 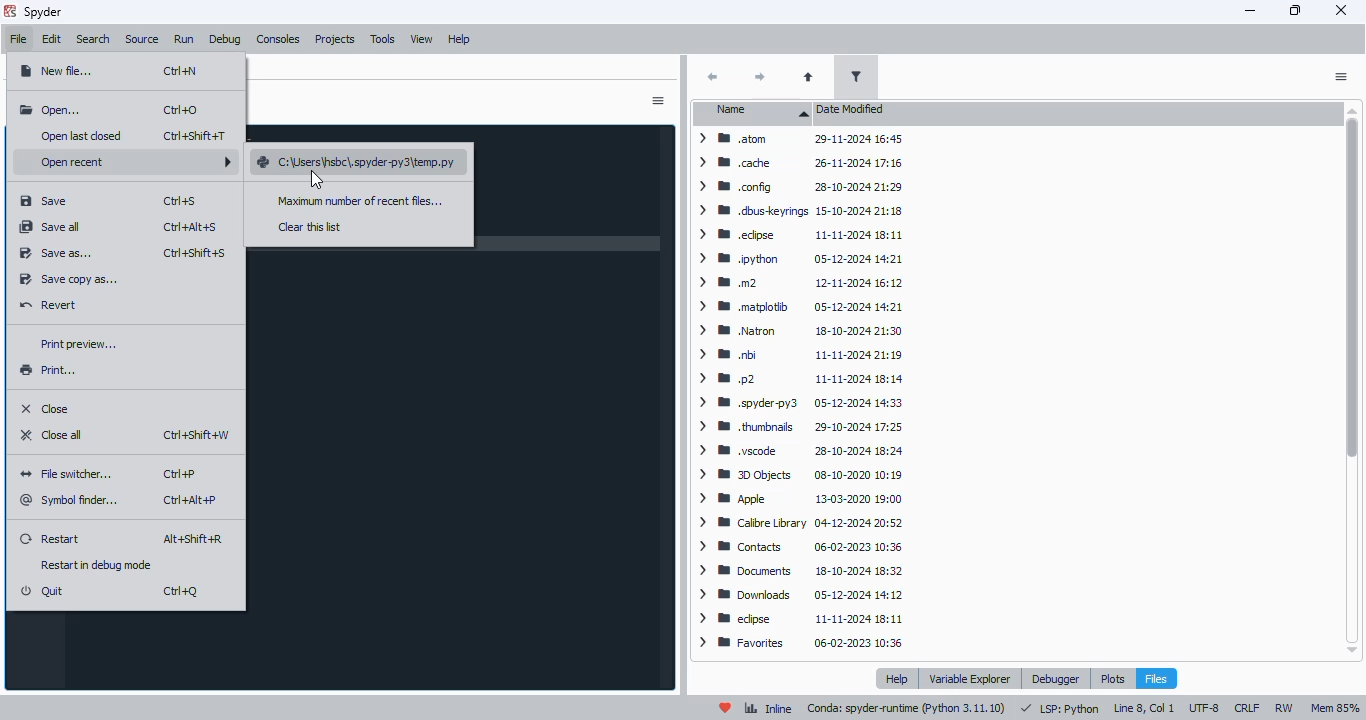 What do you see at coordinates (796, 331) in the screenshot?
I see `> WW Natron 18-10-2024 21:30` at bounding box center [796, 331].